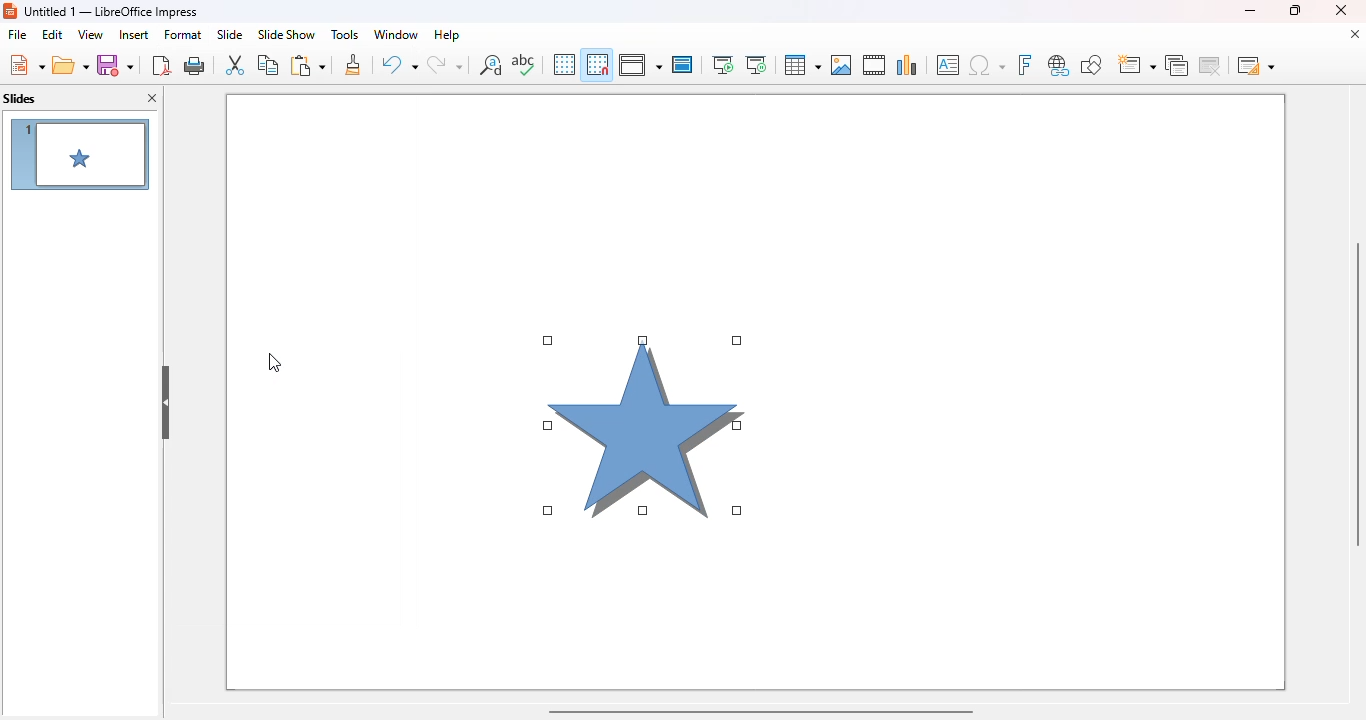 The width and height of the screenshot is (1366, 720). What do you see at coordinates (445, 65) in the screenshot?
I see `redo` at bounding box center [445, 65].